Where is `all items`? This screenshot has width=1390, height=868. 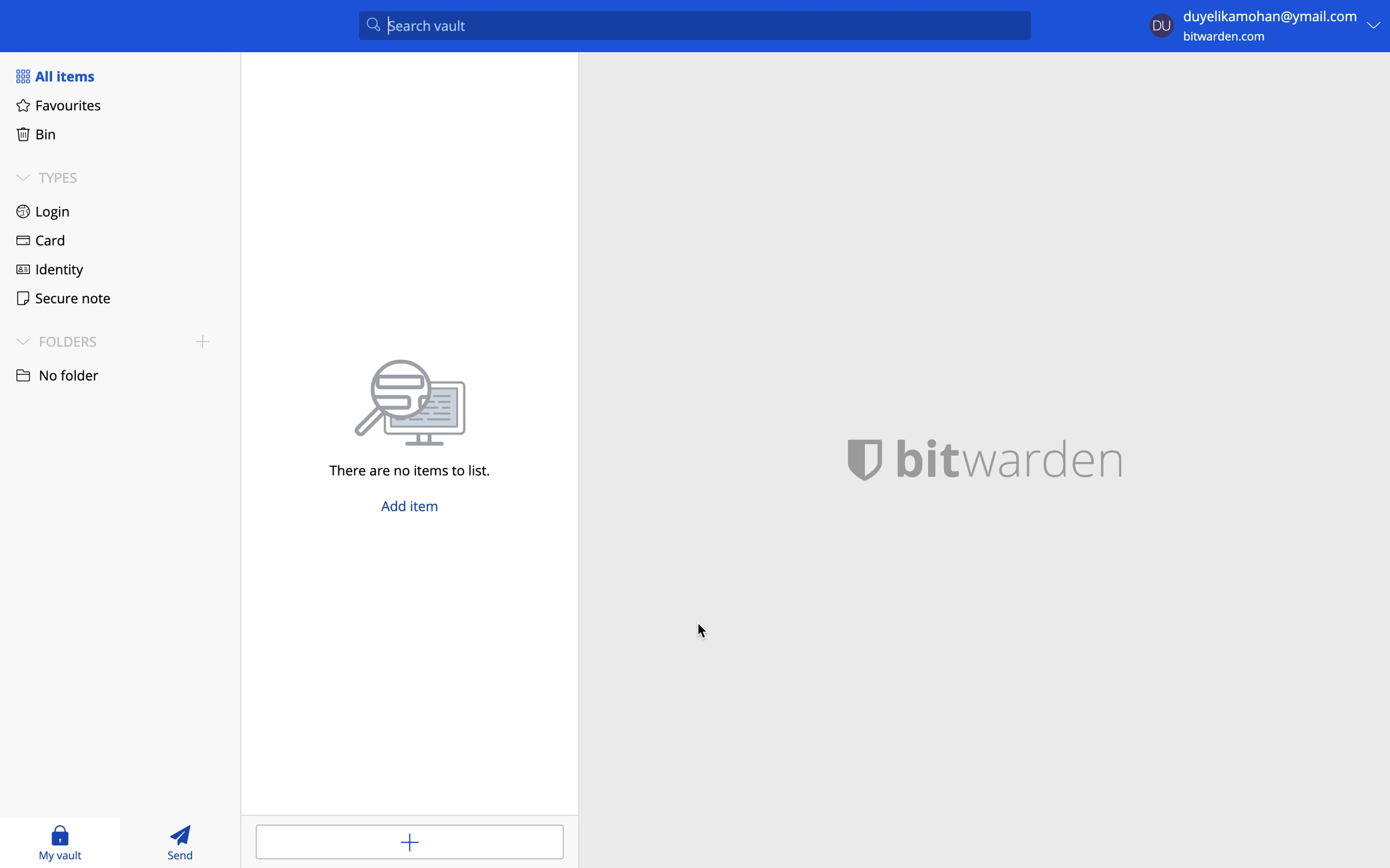 all items is located at coordinates (55, 76).